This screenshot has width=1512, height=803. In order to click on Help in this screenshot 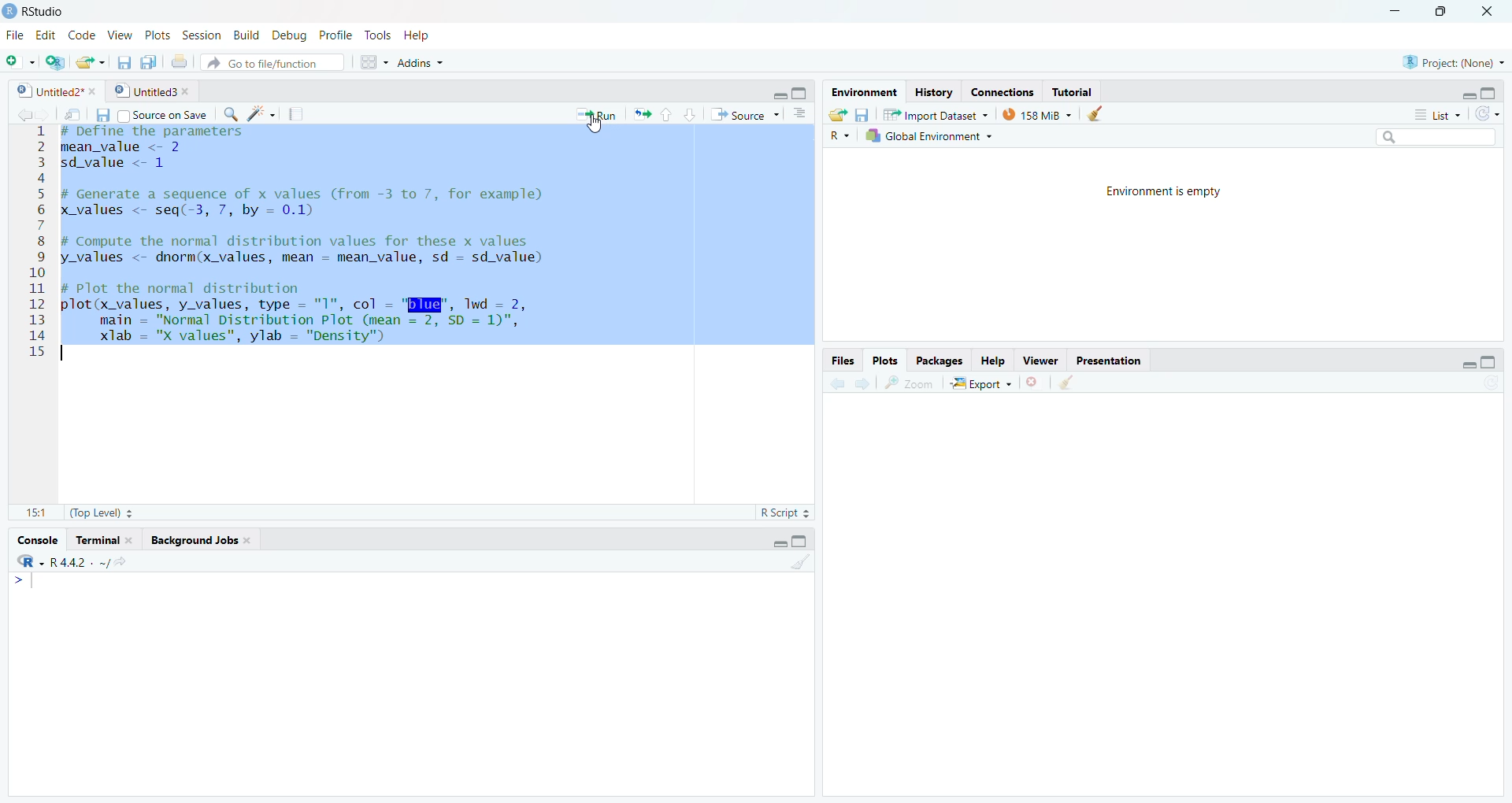, I will do `click(993, 357)`.